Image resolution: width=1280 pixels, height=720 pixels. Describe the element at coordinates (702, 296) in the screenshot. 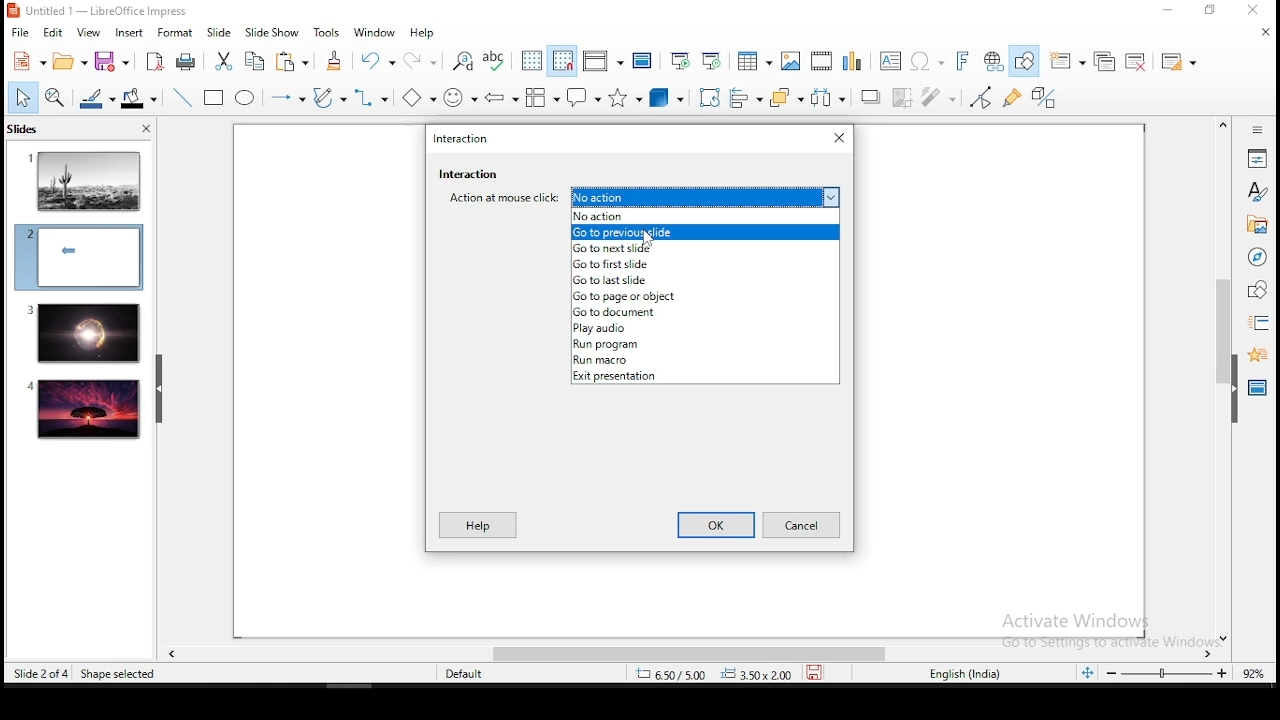

I see `go to page or object` at that location.